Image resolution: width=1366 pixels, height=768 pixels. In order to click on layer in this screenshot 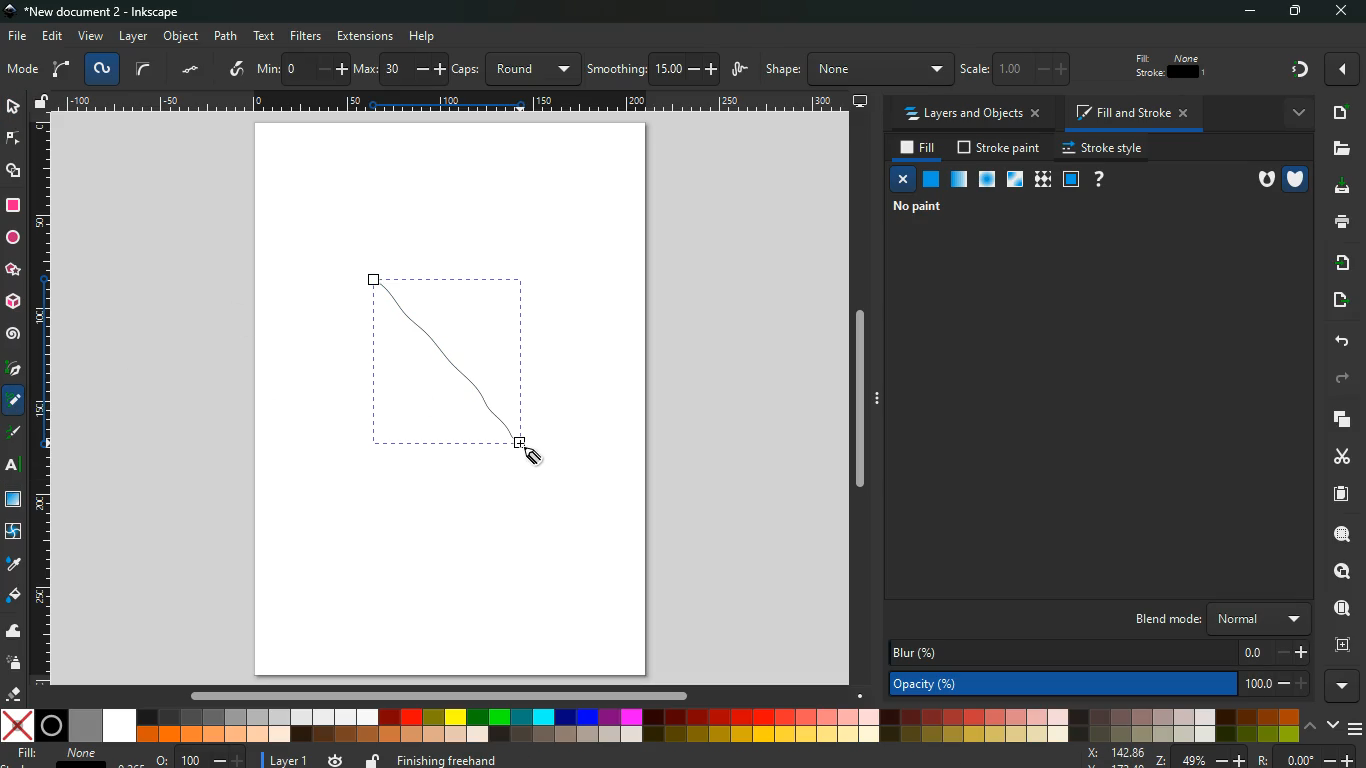, I will do `click(133, 36)`.